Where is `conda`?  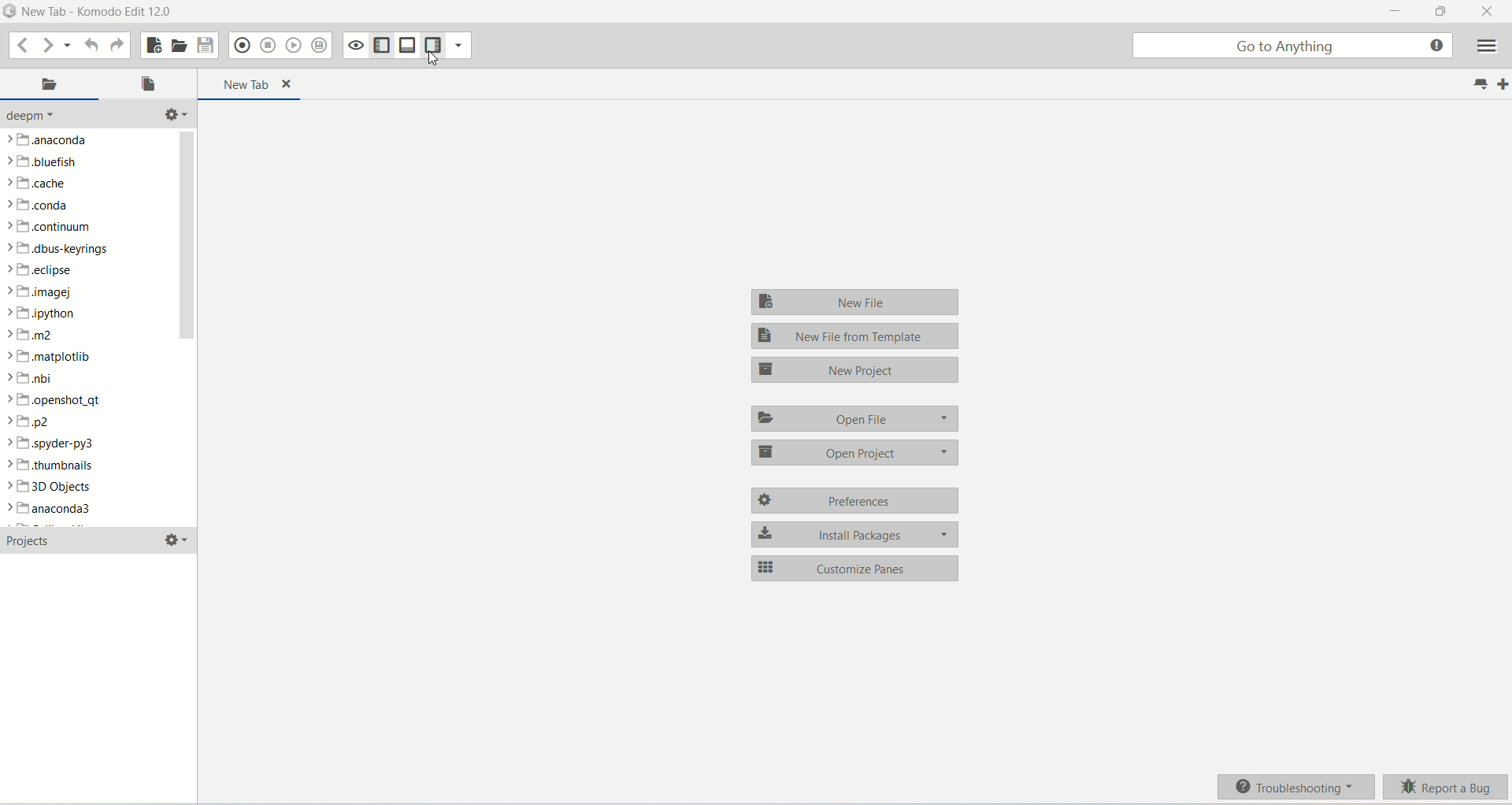
conda is located at coordinates (37, 205).